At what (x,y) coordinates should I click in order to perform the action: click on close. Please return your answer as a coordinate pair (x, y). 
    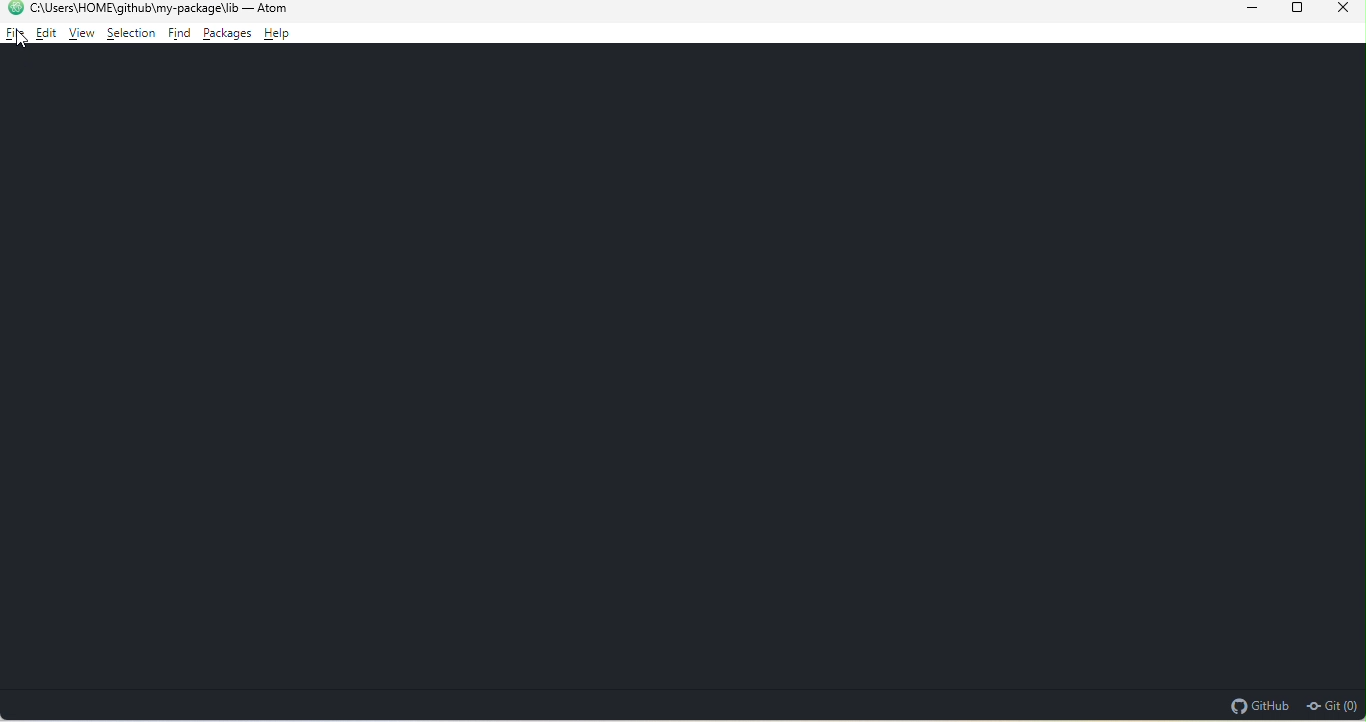
    Looking at the image, I should click on (1340, 11).